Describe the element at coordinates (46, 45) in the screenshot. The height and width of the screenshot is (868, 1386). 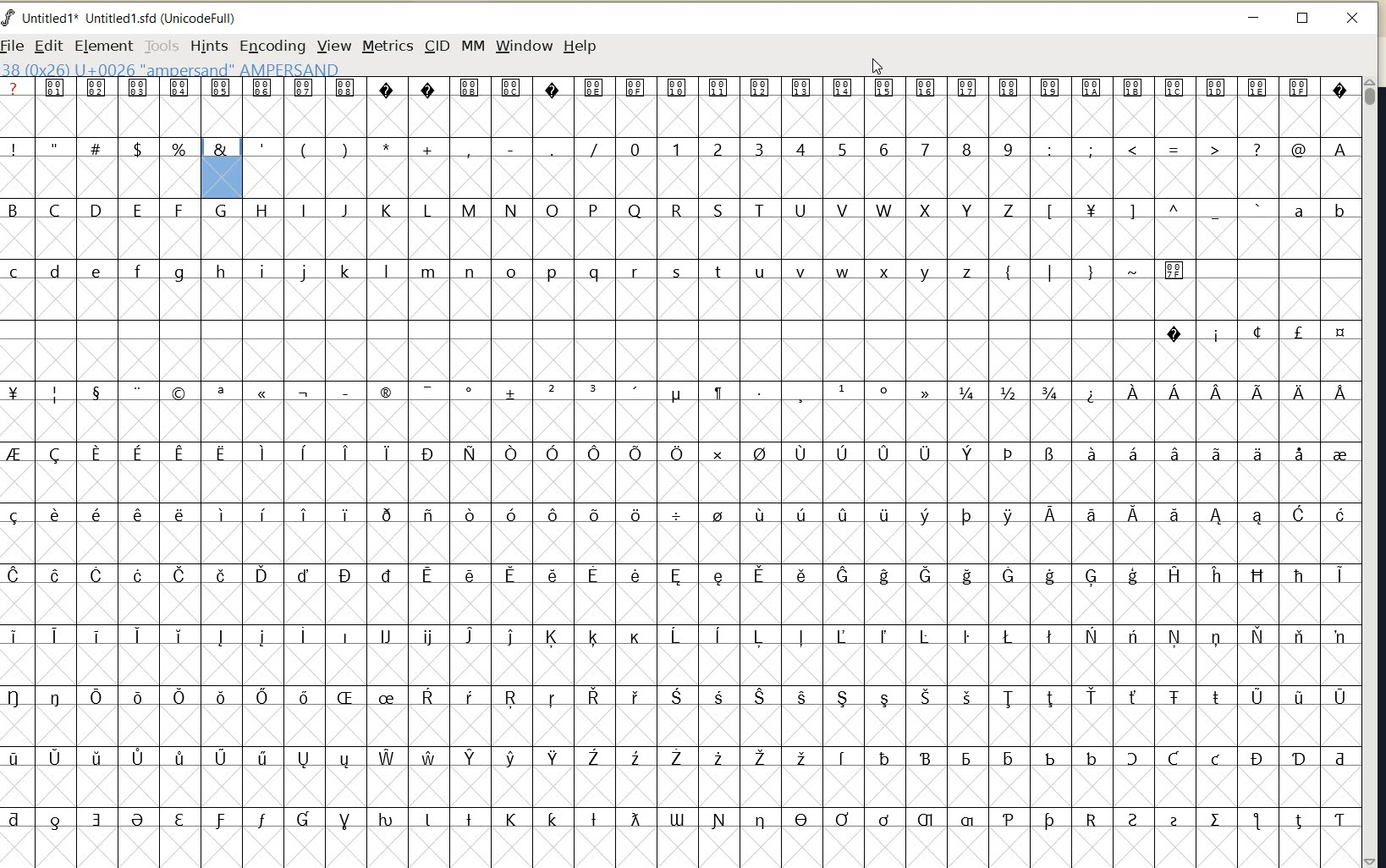
I see `EDIT` at that location.